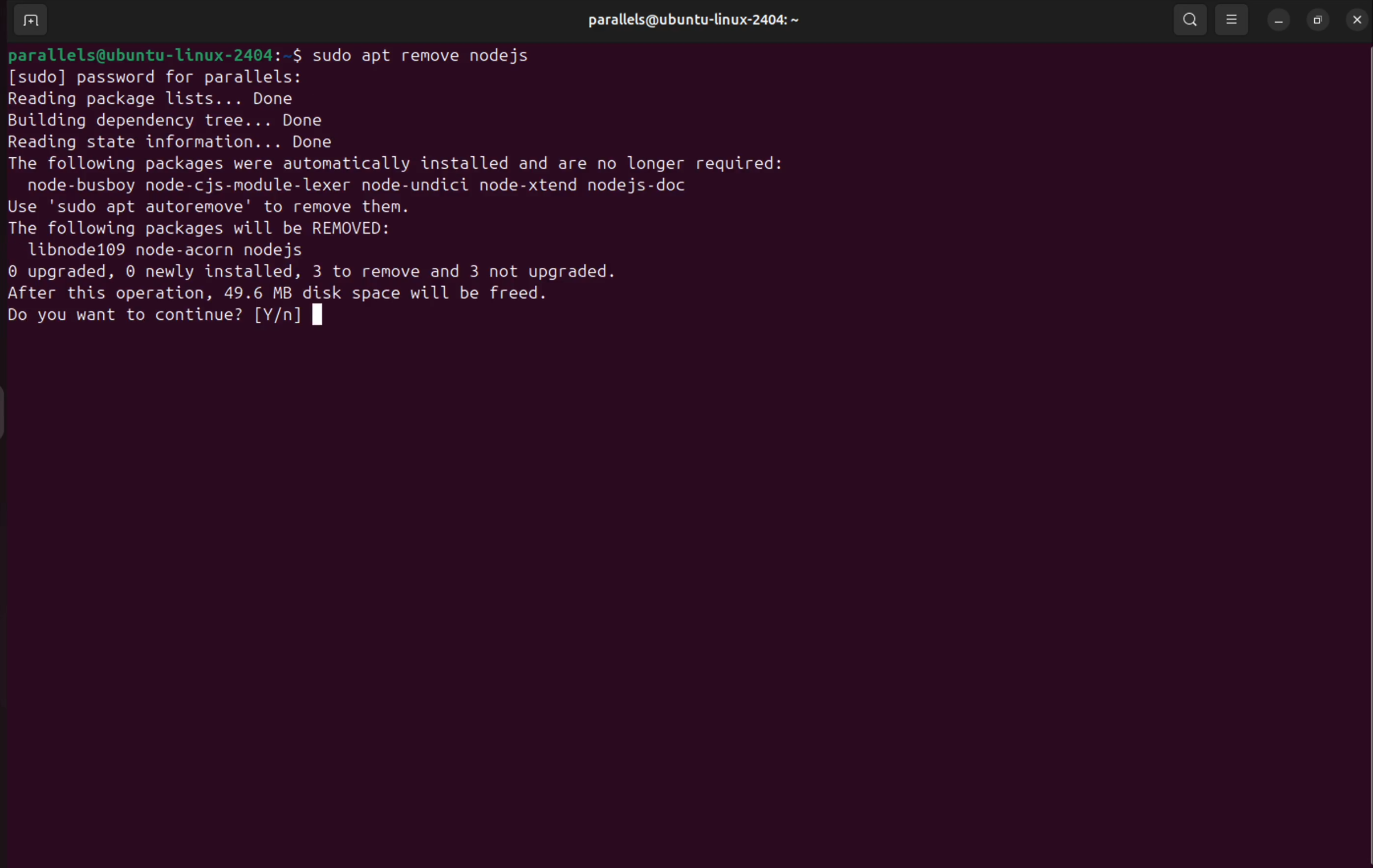 The image size is (1373, 868). What do you see at coordinates (692, 19) in the screenshot?
I see `parallels@ubuntu-linux-2404: ~` at bounding box center [692, 19].